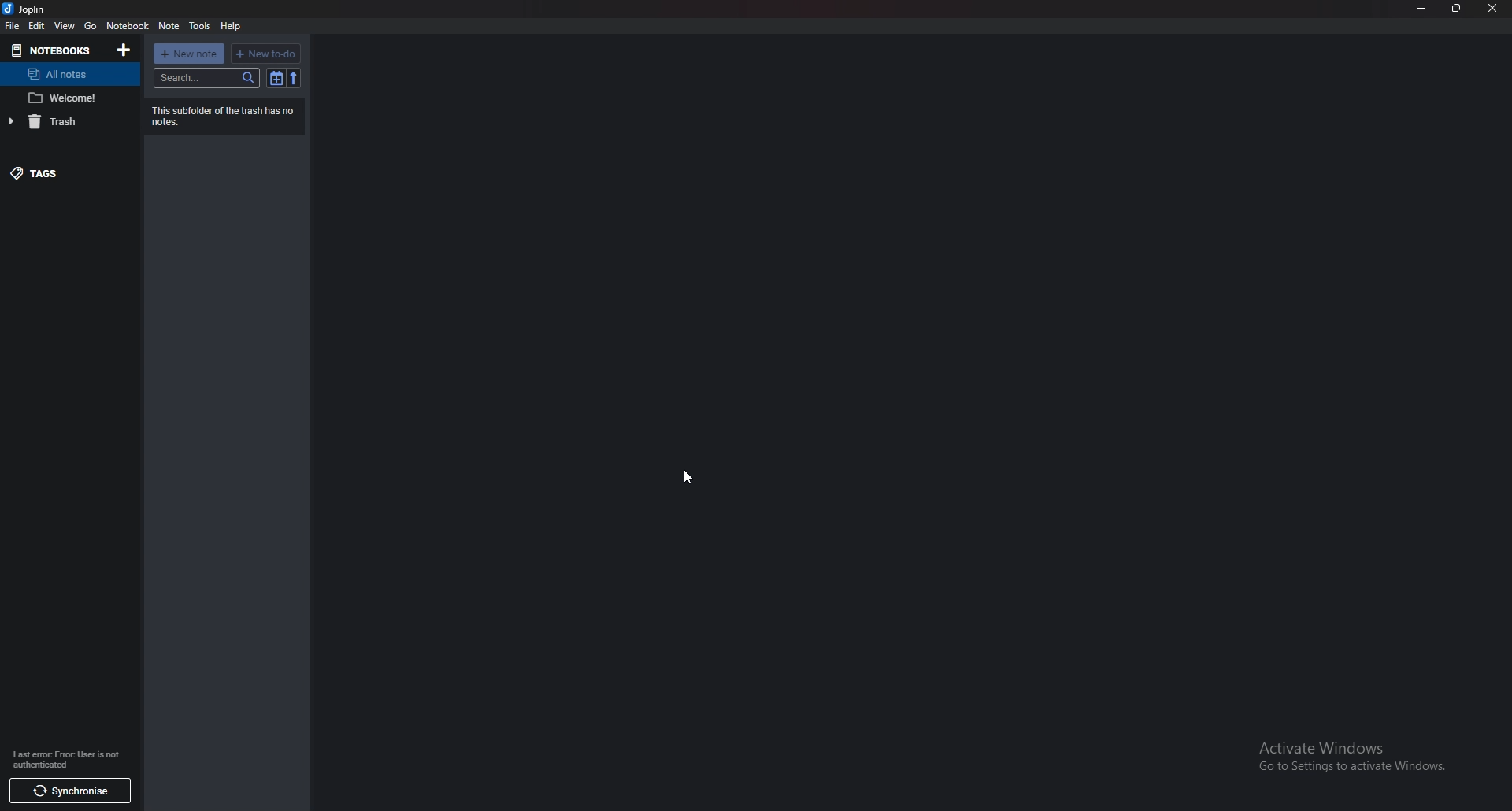 Image resolution: width=1512 pixels, height=811 pixels. I want to click on tools, so click(200, 26).